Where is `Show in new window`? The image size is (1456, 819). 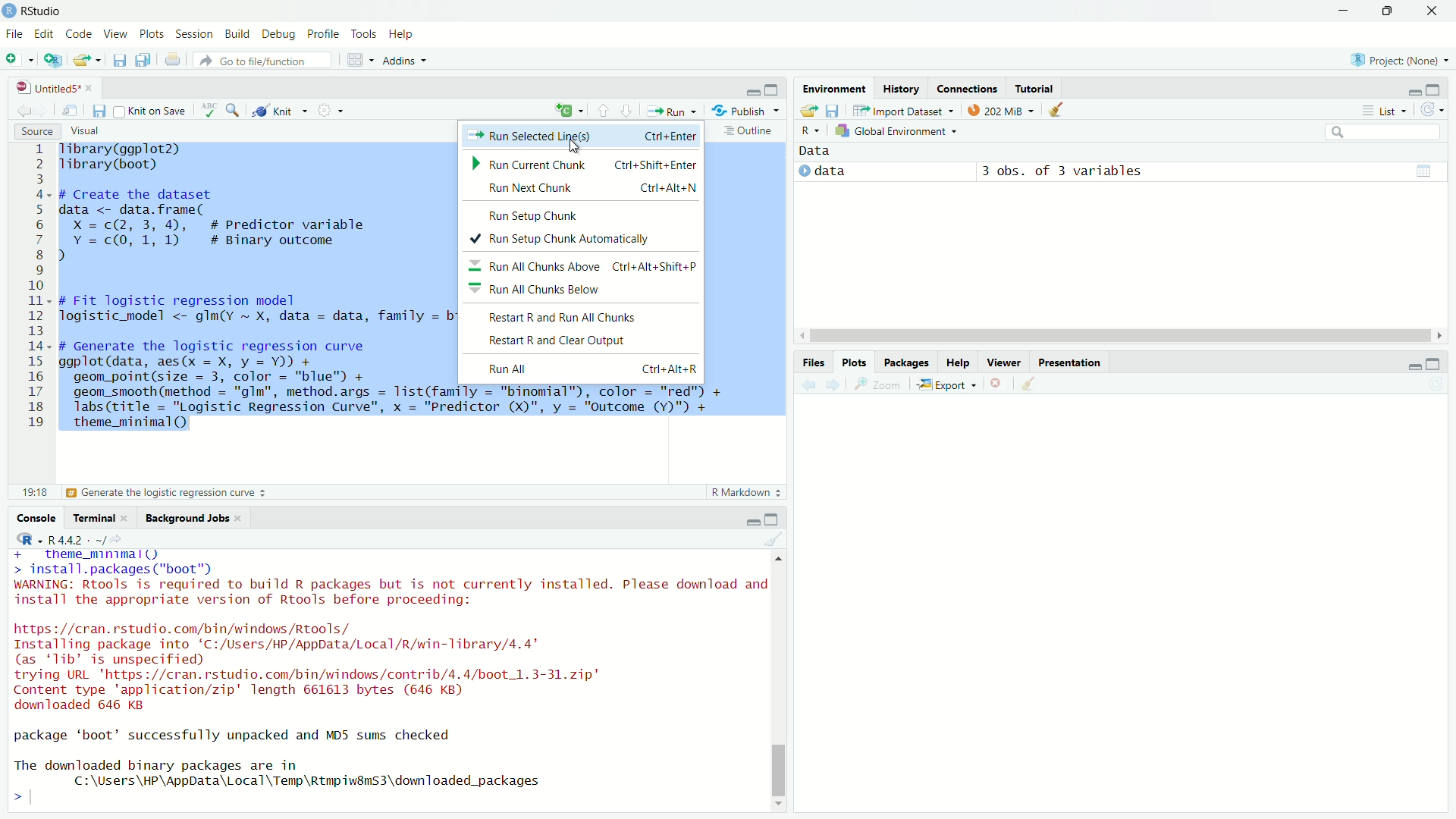
Show in new window is located at coordinates (70, 111).